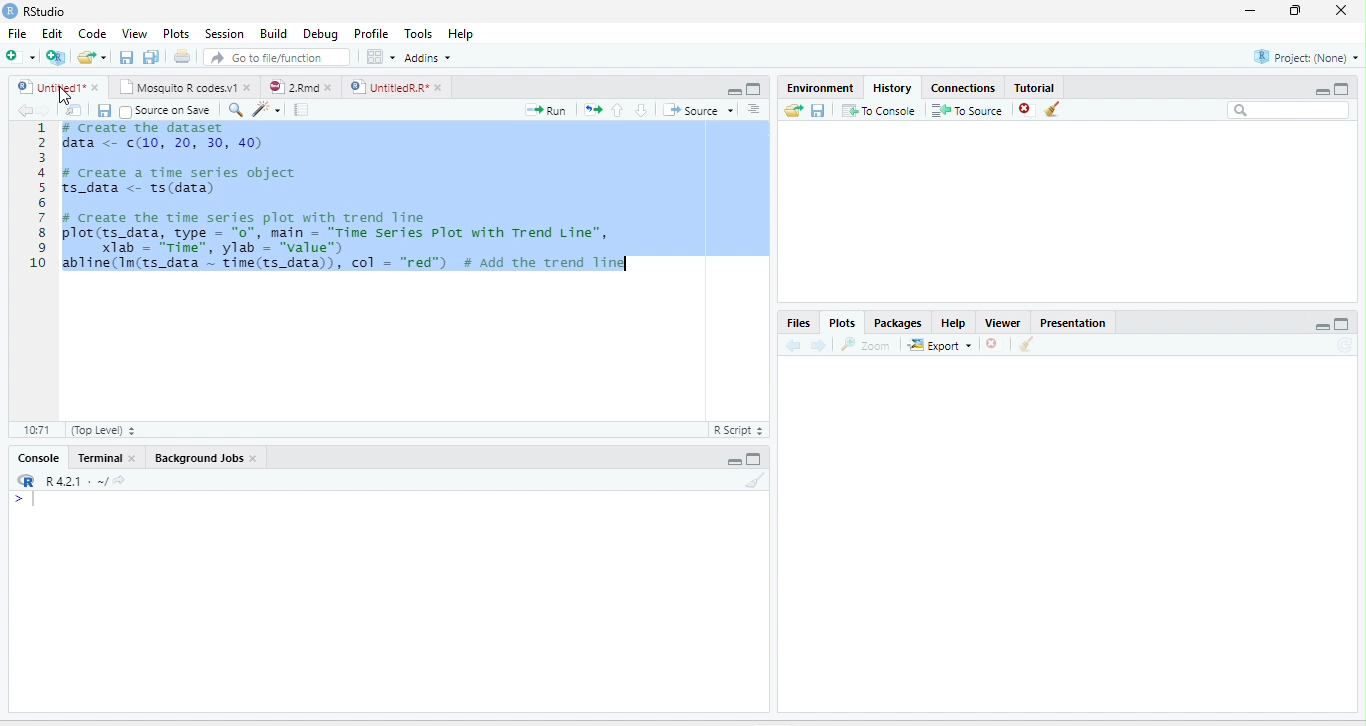  Describe the element at coordinates (64, 95) in the screenshot. I see `cursor` at that location.